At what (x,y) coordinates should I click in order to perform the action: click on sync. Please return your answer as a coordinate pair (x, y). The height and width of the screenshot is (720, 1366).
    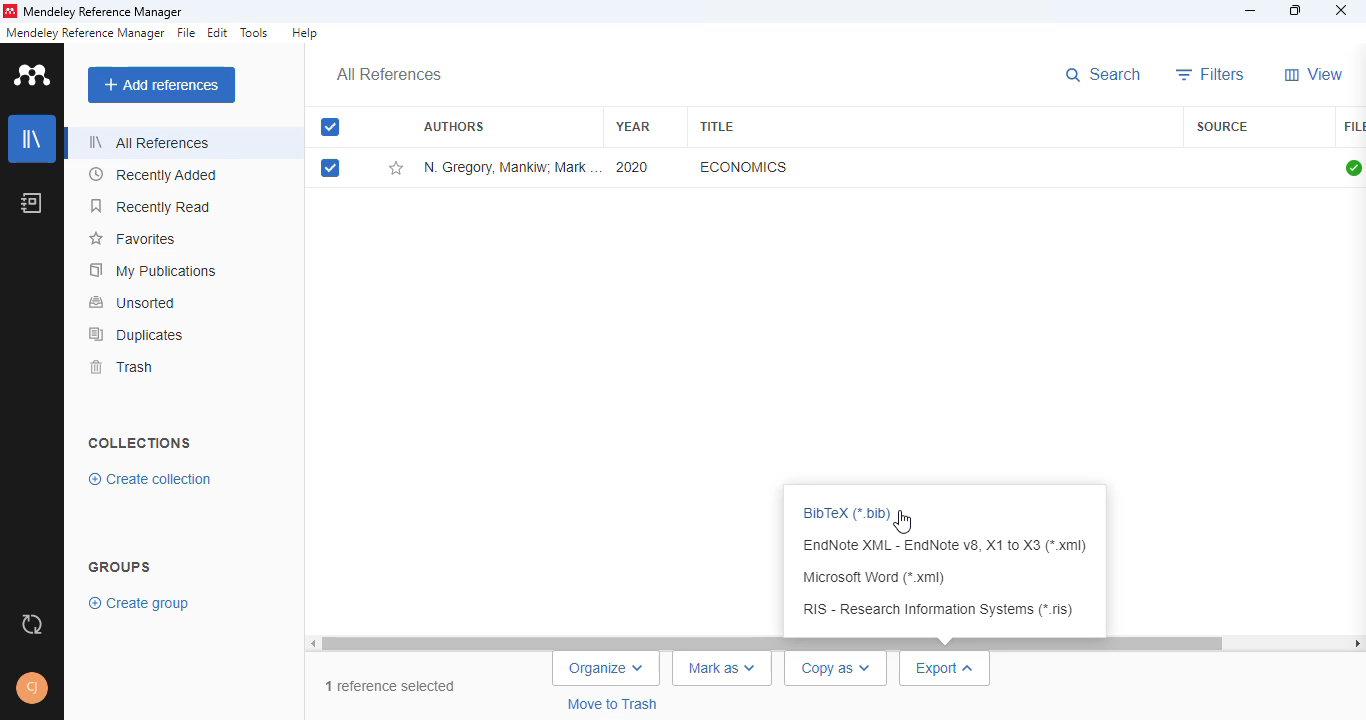
    Looking at the image, I should click on (32, 625).